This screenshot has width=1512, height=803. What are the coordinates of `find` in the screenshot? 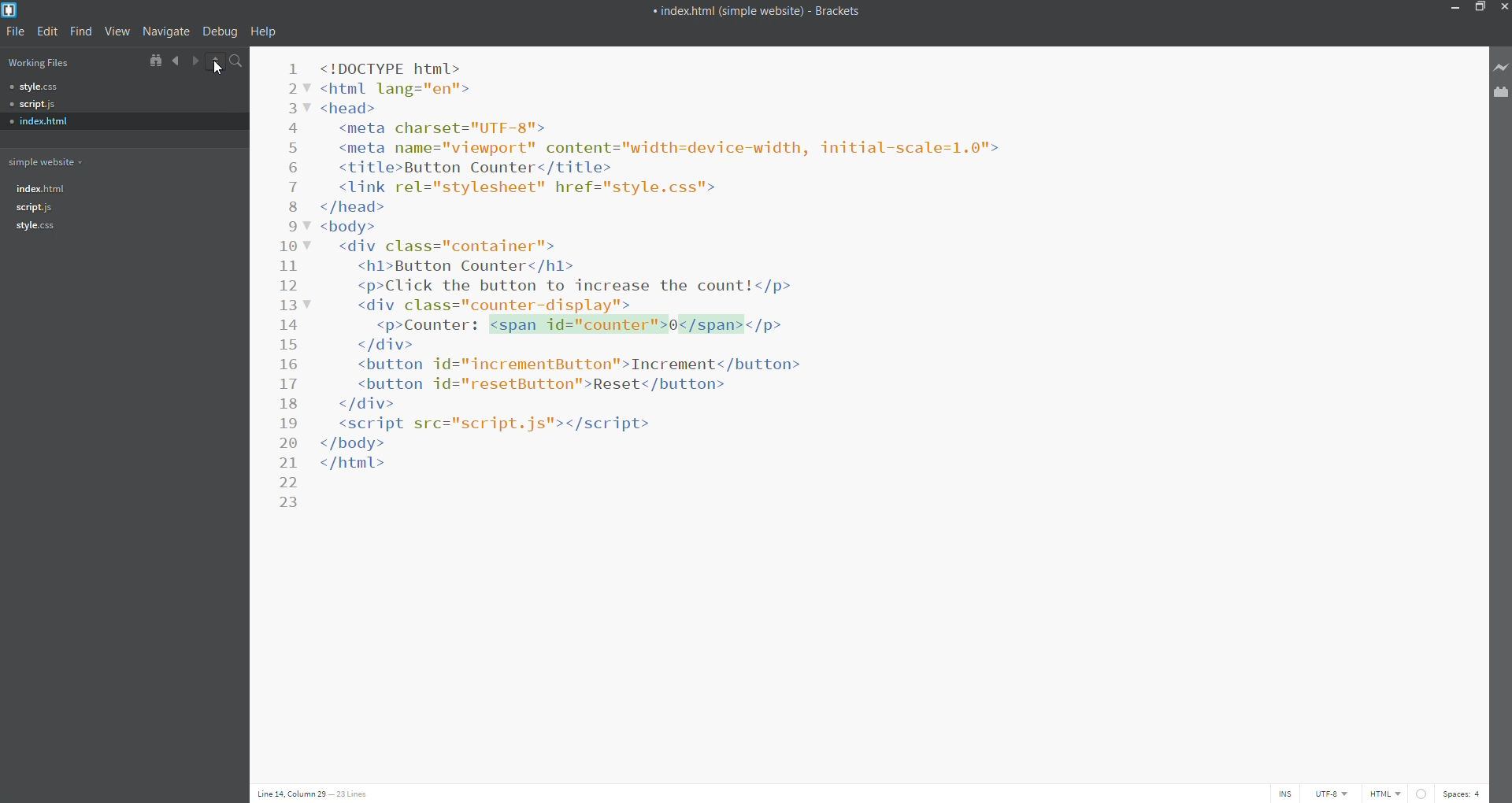 It's located at (82, 30).